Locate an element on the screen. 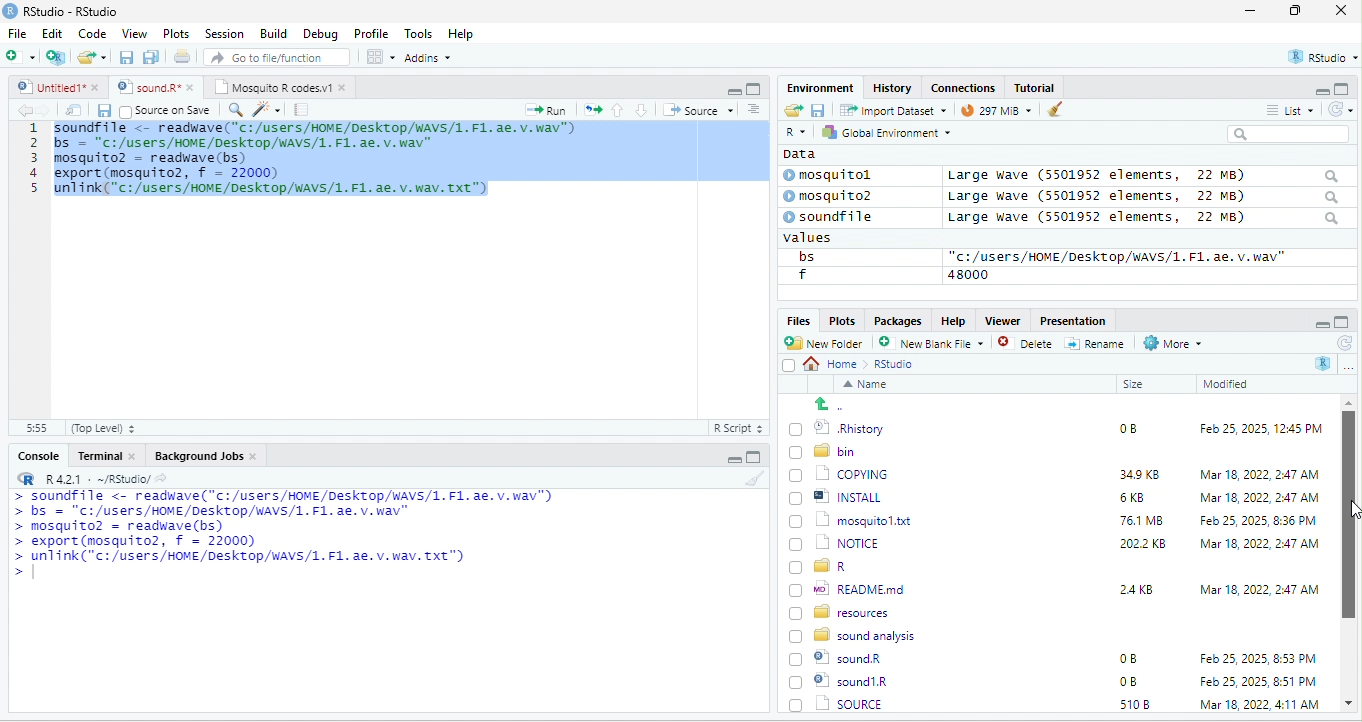 Image resolution: width=1362 pixels, height=722 pixels. clases is located at coordinates (965, 86).